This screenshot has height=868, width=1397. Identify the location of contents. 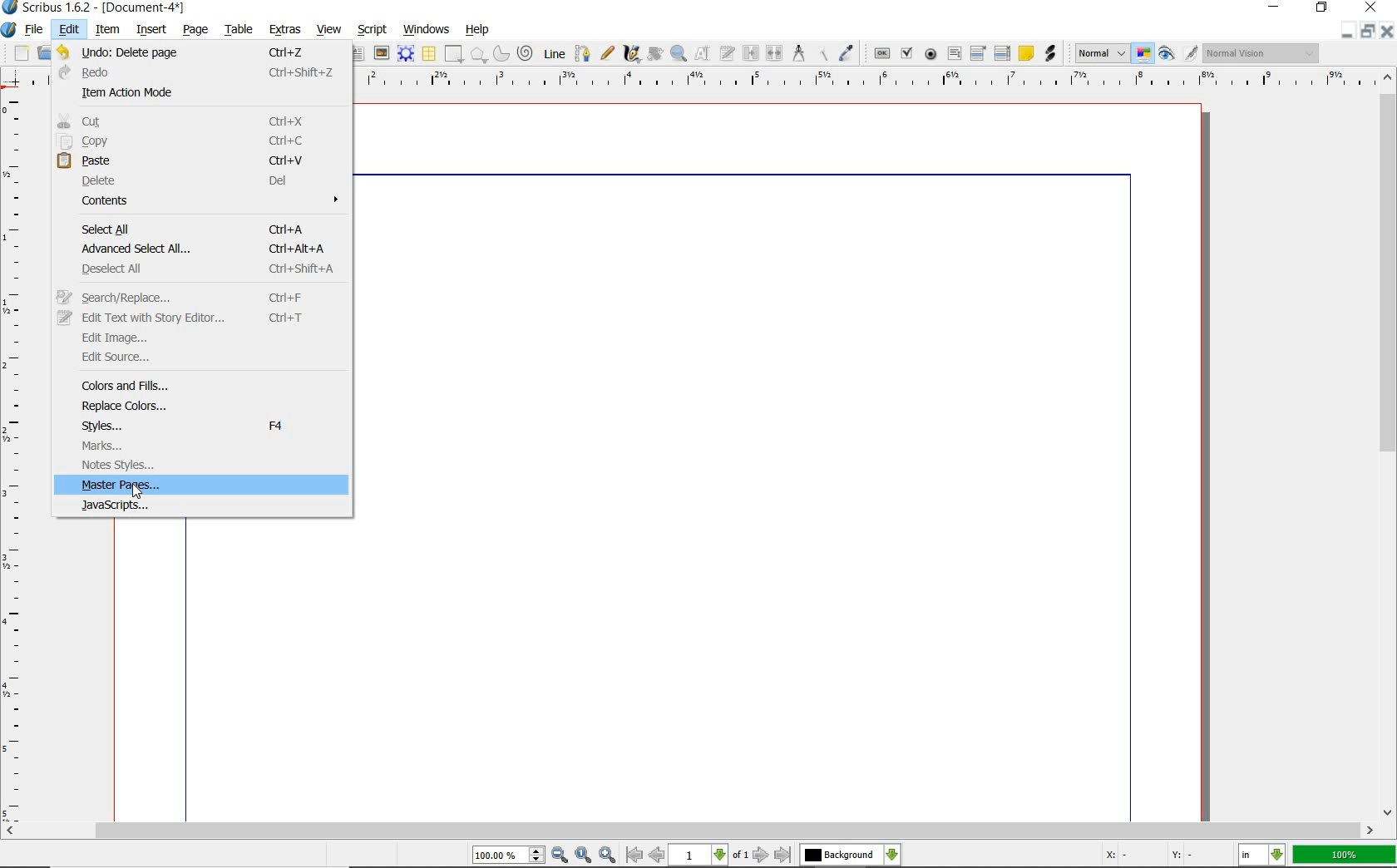
(213, 201).